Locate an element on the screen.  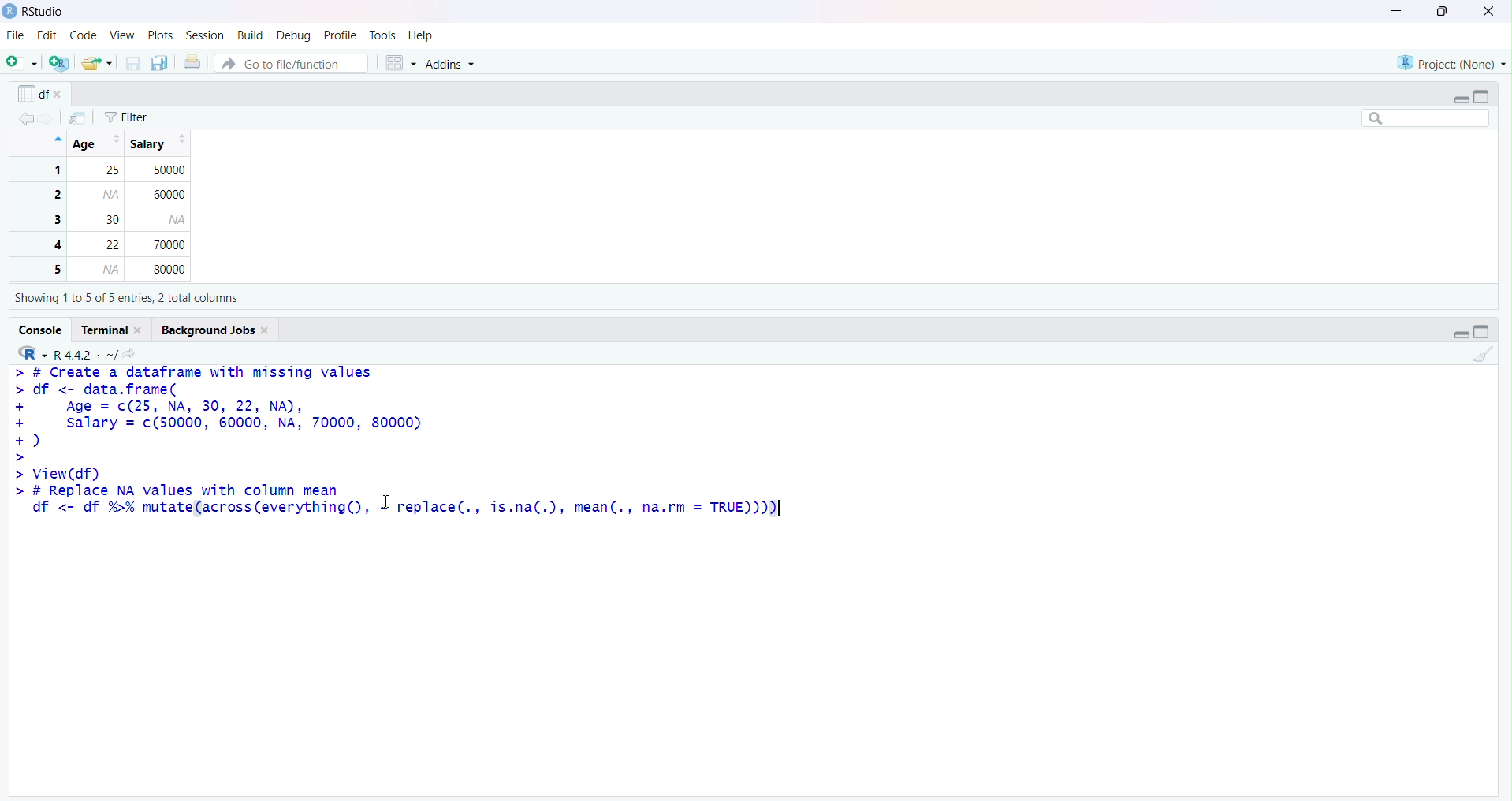
Go forward to the next source location (Ctrl + F10) is located at coordinates (50, 118).